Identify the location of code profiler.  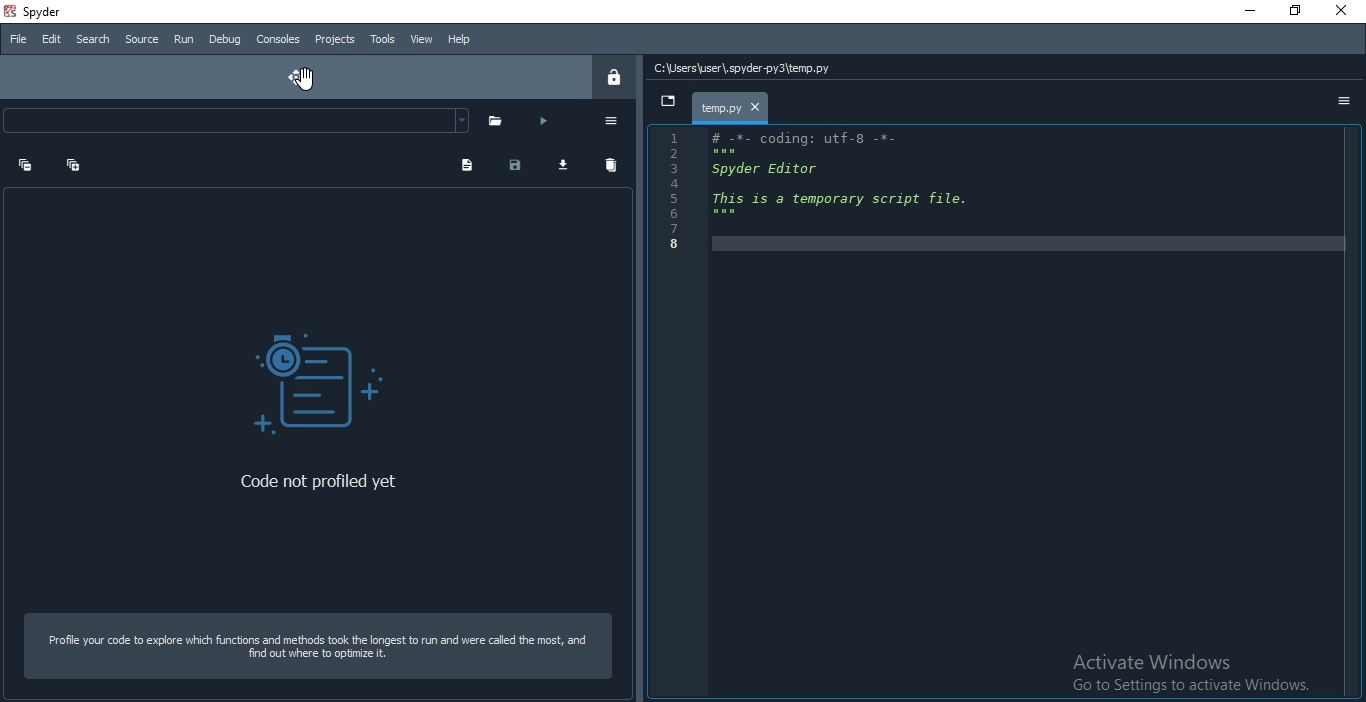
(308, 375).